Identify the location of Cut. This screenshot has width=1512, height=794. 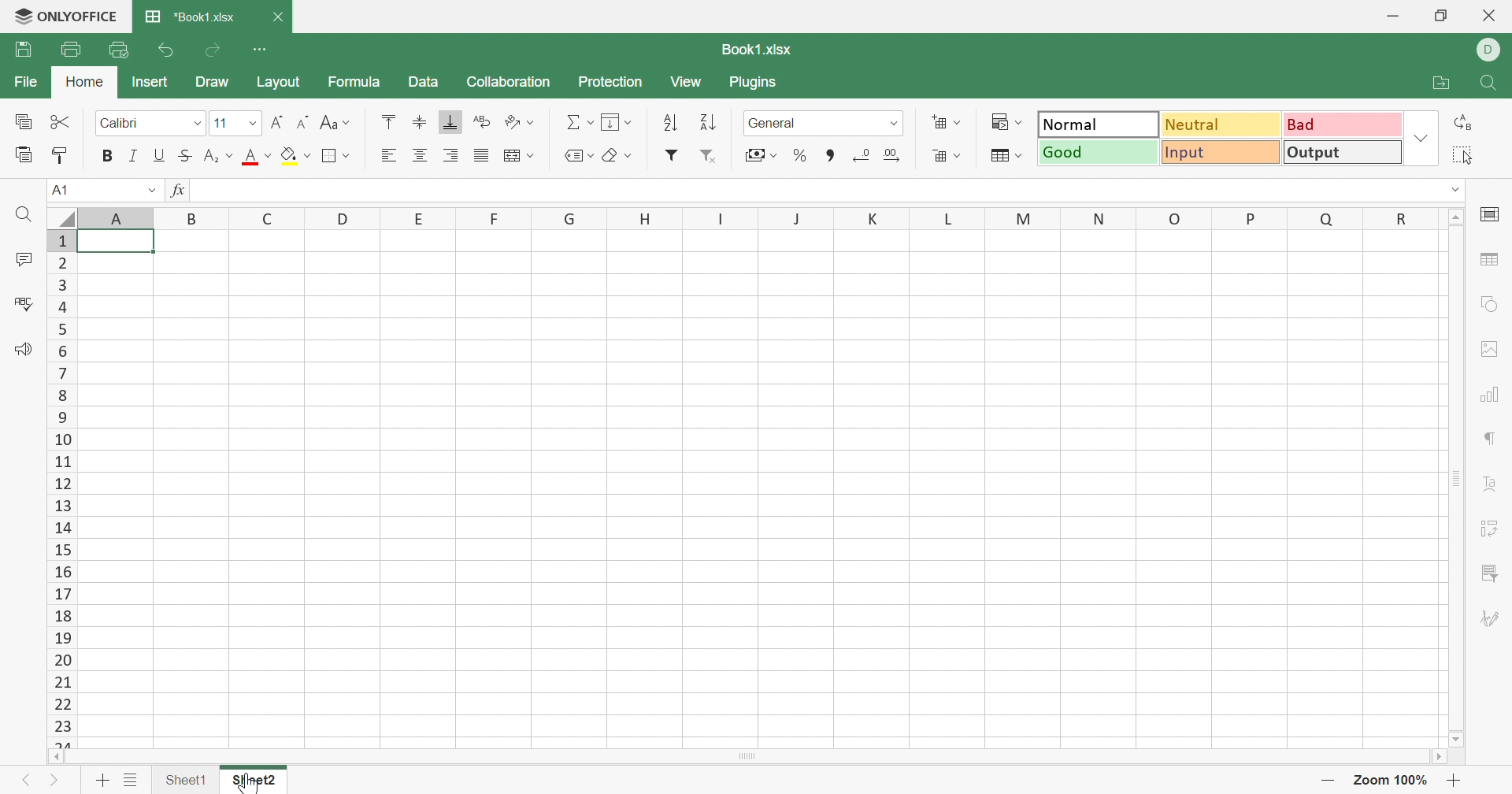
(61, 121).